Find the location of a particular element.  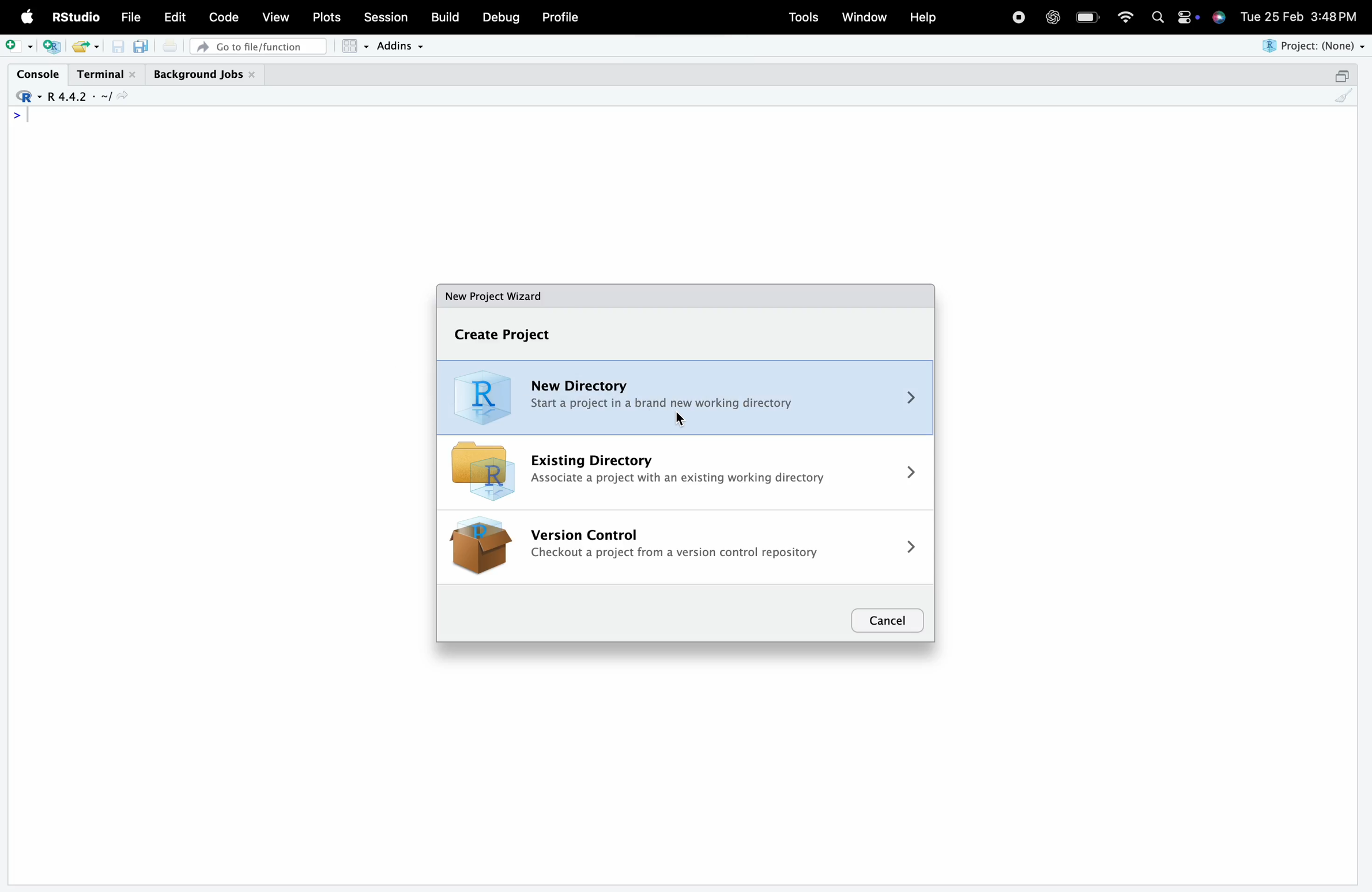

print the current file is located at coordinates (170, 46).